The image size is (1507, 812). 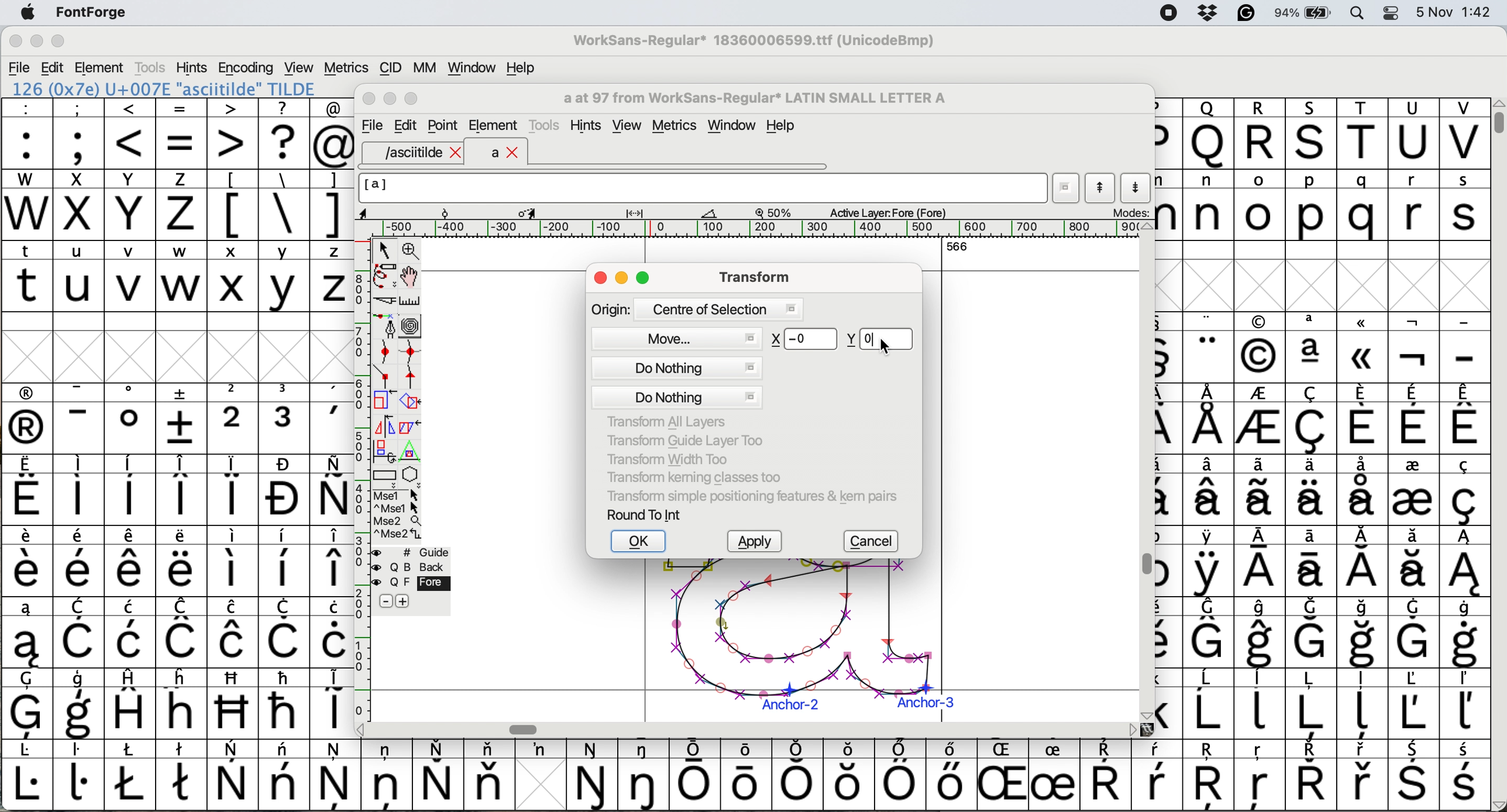 What do you see at coordinates (80, 276) in the screenshot?
I see `u` at bounding box center [80, 276].